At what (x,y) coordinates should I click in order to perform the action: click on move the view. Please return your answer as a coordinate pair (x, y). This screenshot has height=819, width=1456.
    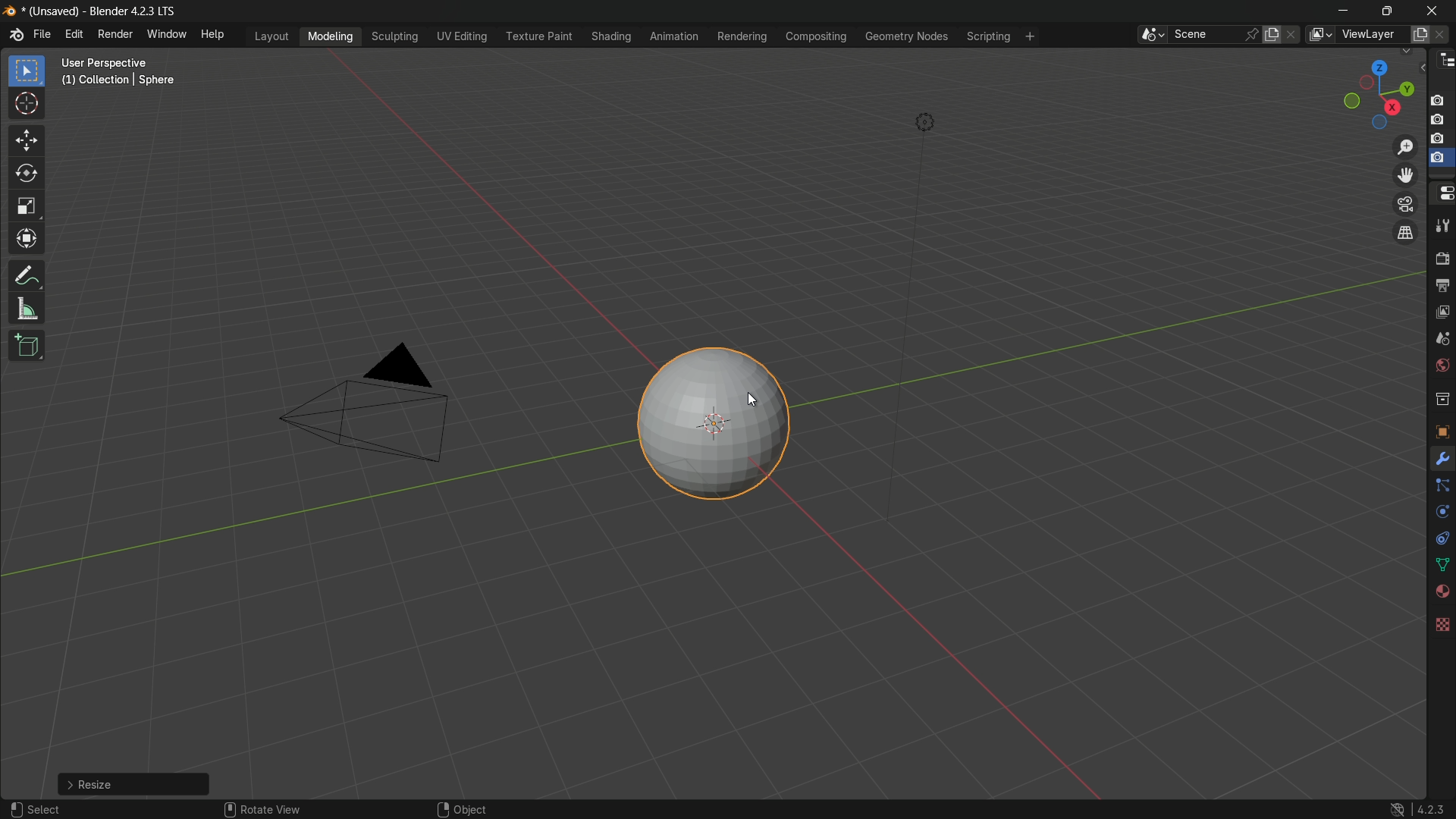
    Looking at the image, I should click on (1406, 176).